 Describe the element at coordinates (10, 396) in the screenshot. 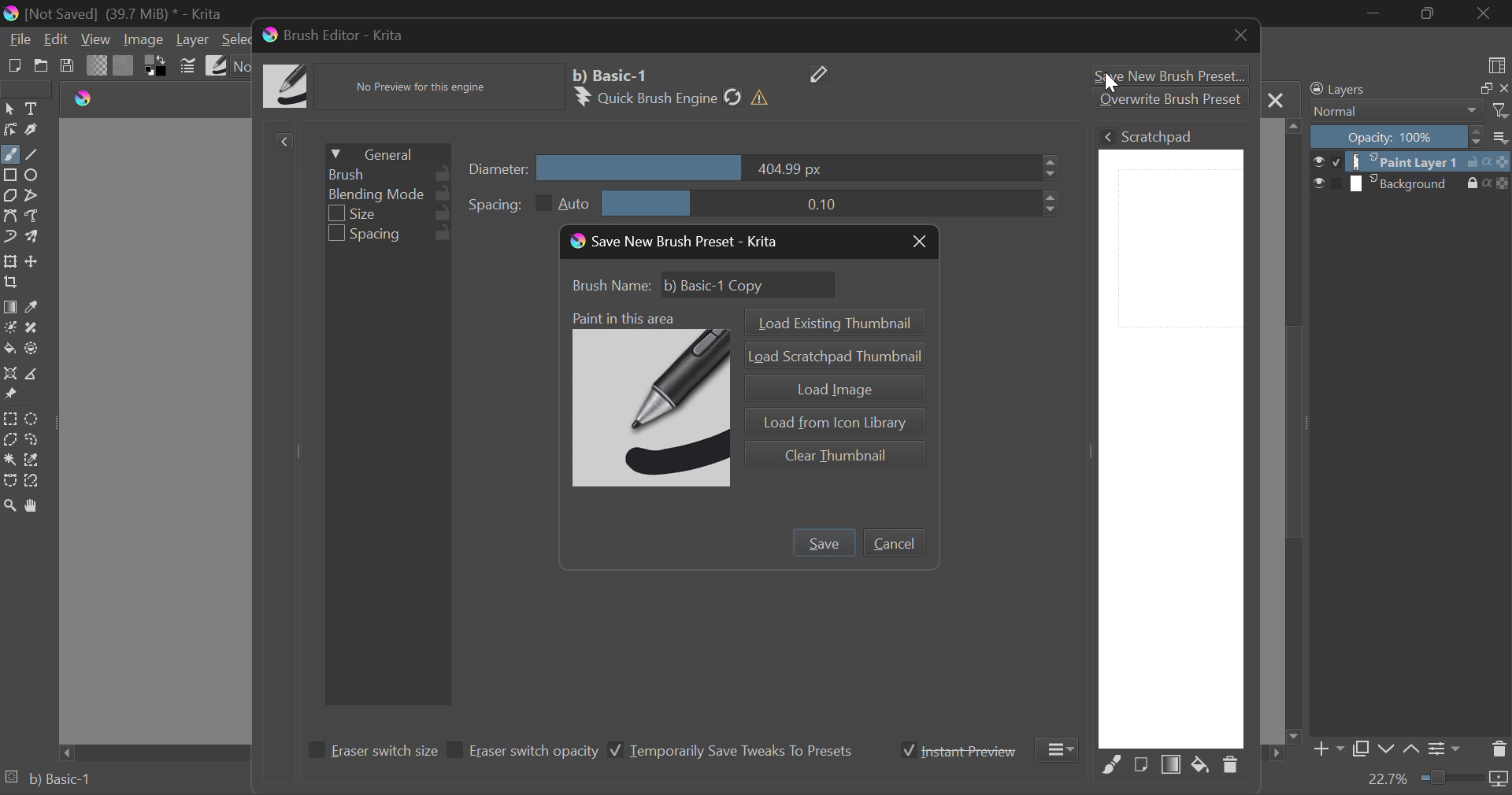

I see `Reference Images` at that location.